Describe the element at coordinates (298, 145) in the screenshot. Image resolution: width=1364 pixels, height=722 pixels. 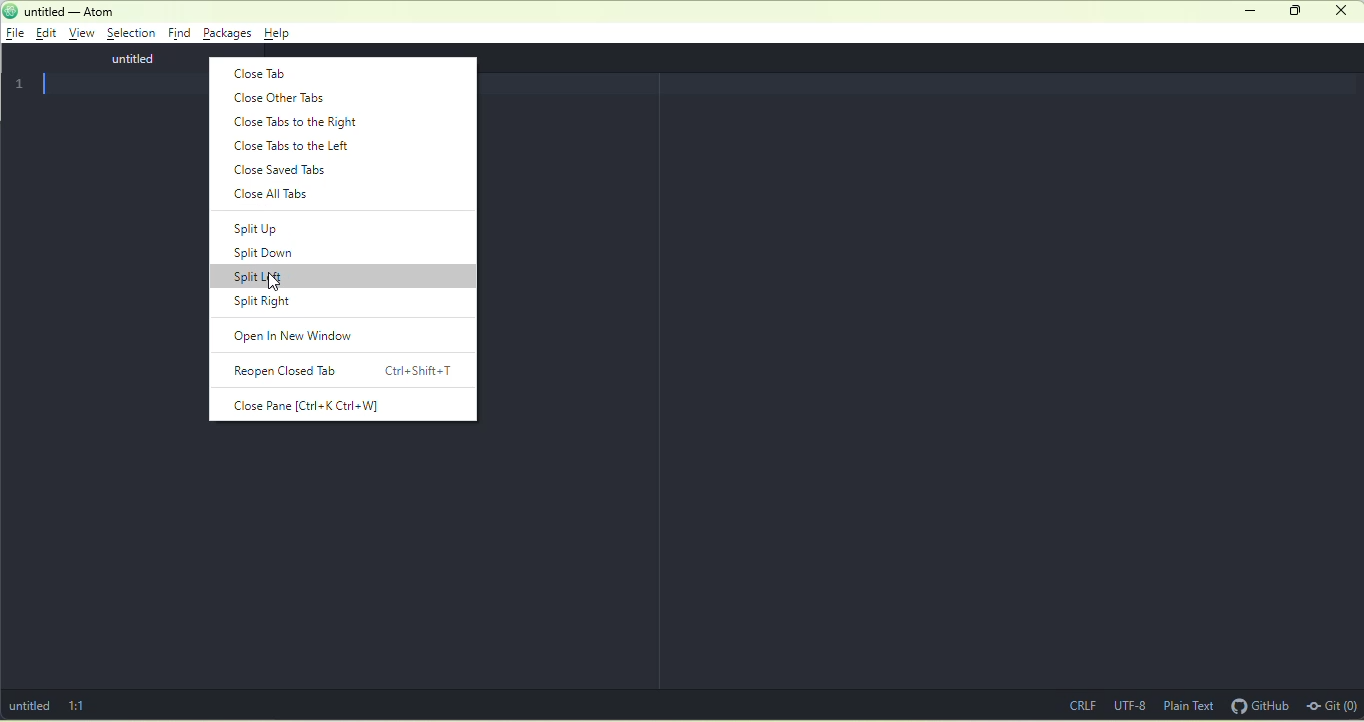
I see `close tabs to the left` at that location.